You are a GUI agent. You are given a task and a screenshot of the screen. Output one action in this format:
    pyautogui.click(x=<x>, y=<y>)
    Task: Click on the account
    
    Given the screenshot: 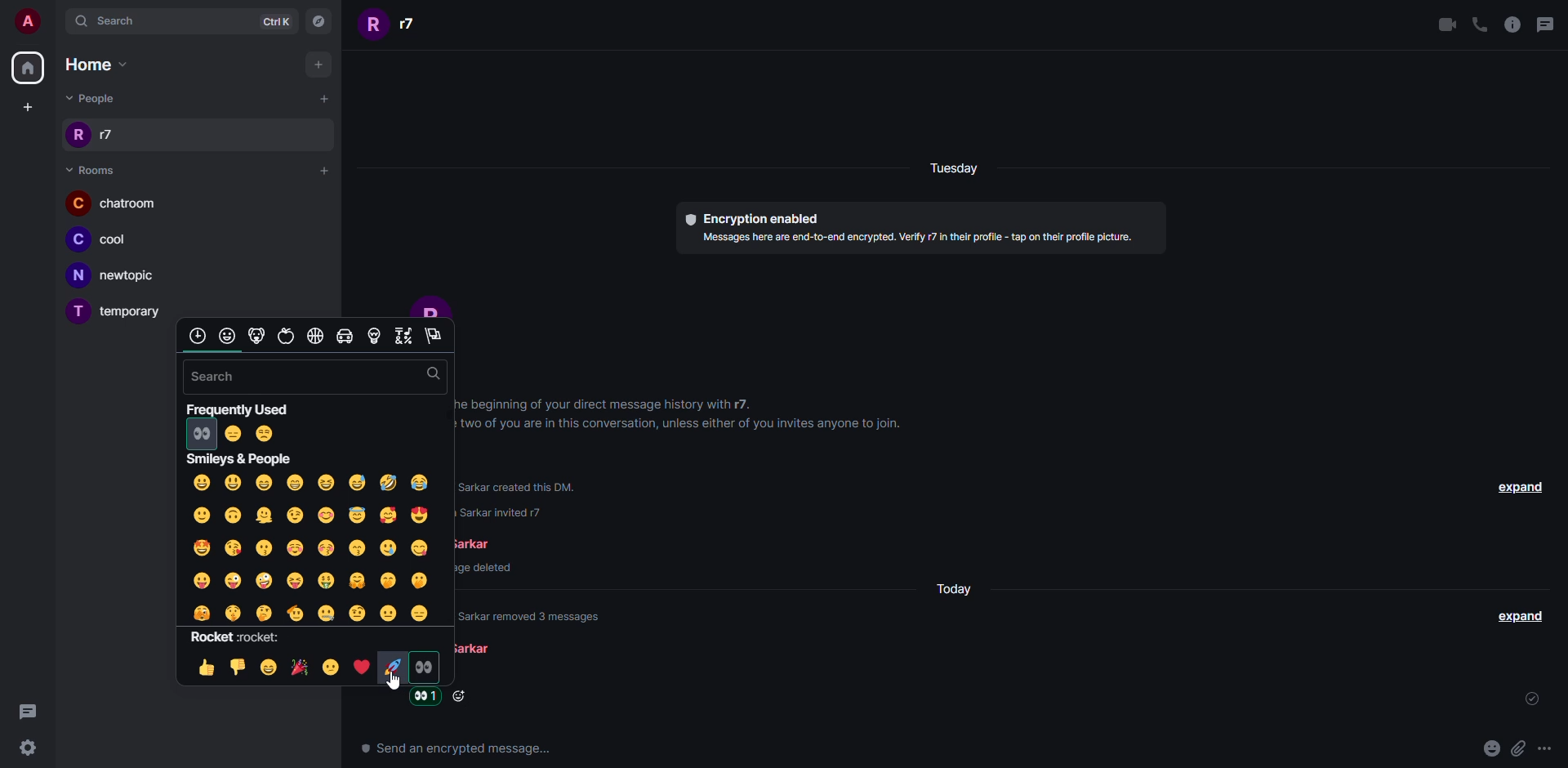 What is the action you would take?
    pyautogui.click(x=28, y=20)
    